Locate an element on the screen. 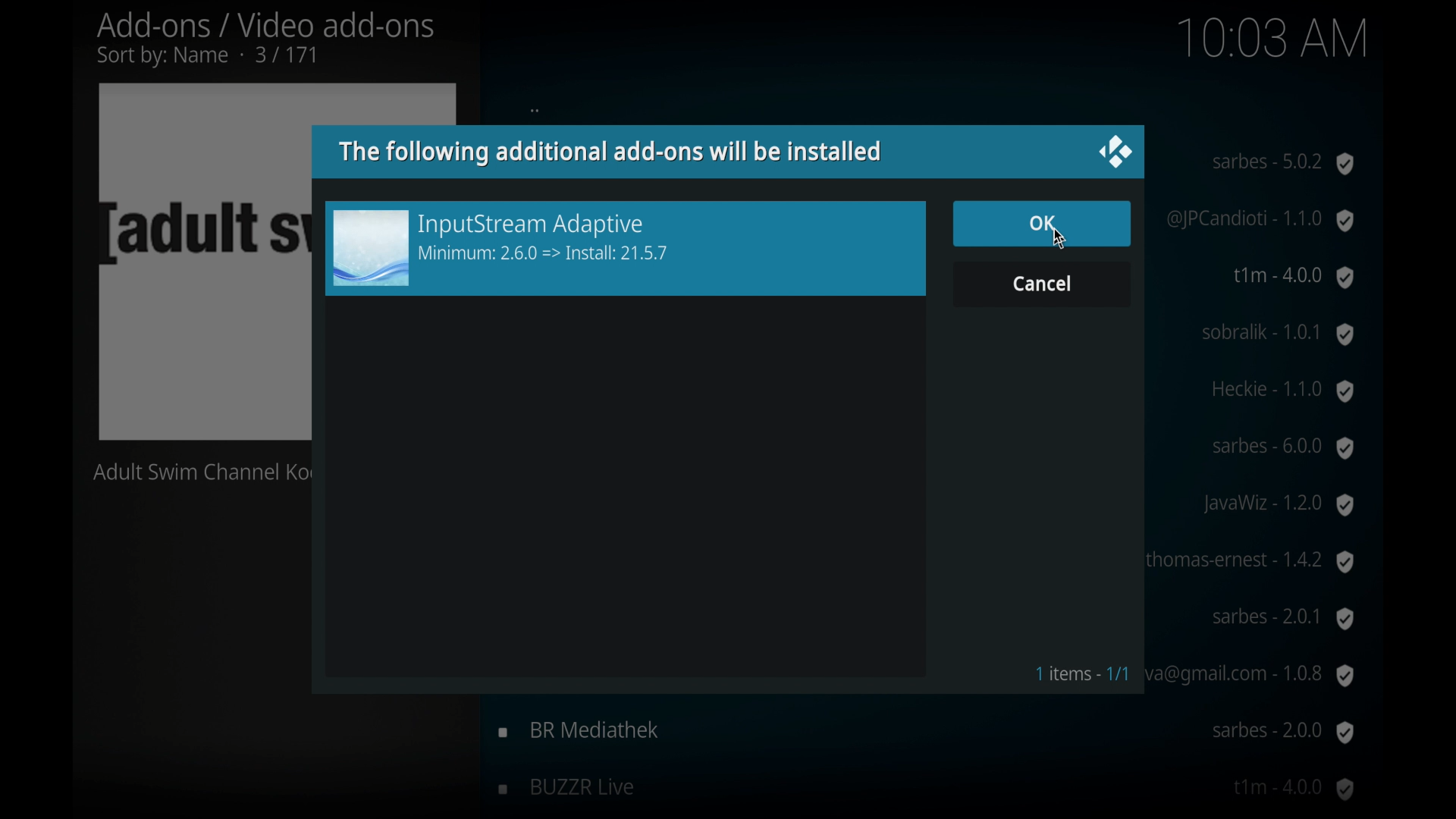 Image resolution: width=1456 pixels, height=819 pixels. sabres-6.0.0 is located at coordinates (1273, 446).